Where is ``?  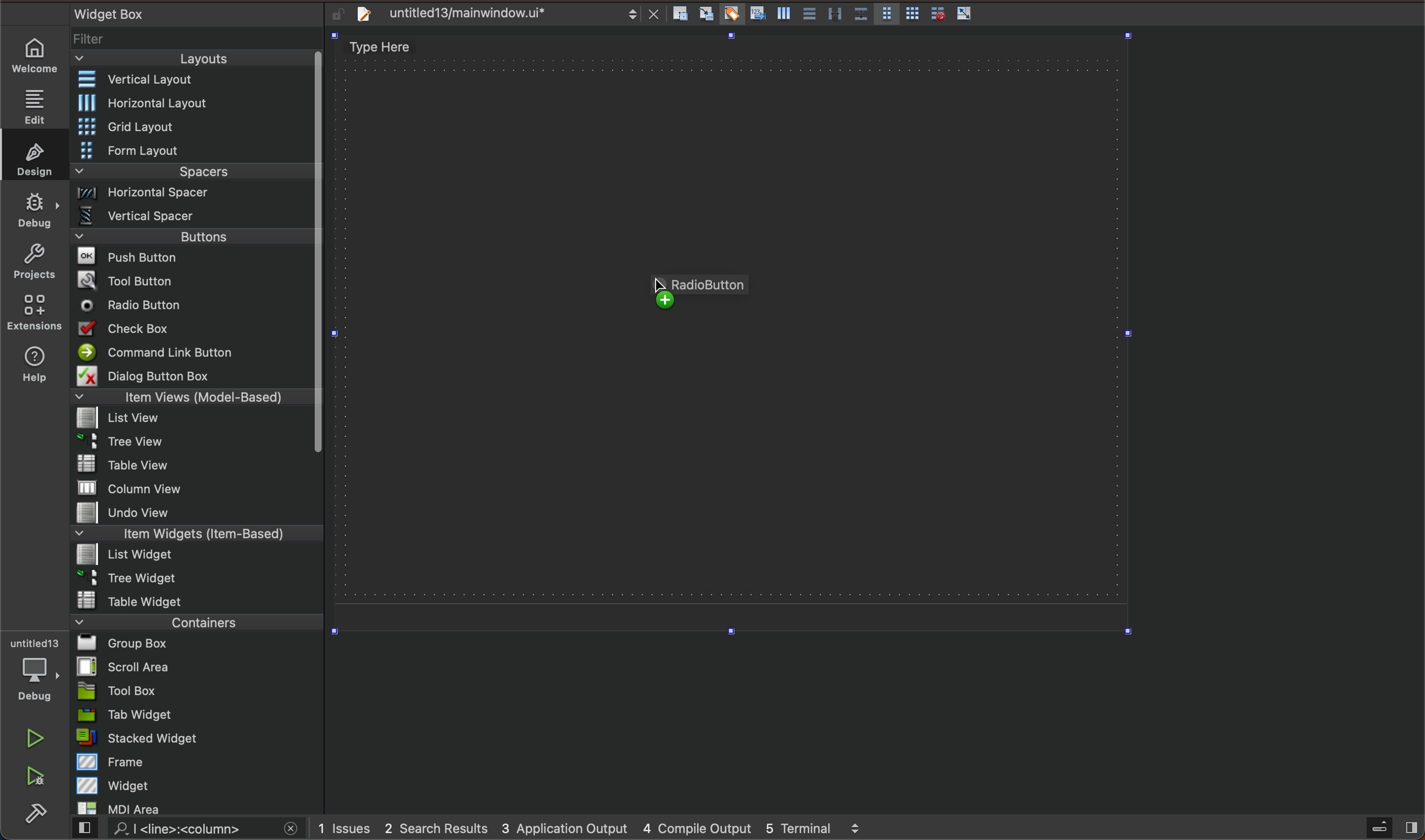
 is located at coordinates (835, 15).